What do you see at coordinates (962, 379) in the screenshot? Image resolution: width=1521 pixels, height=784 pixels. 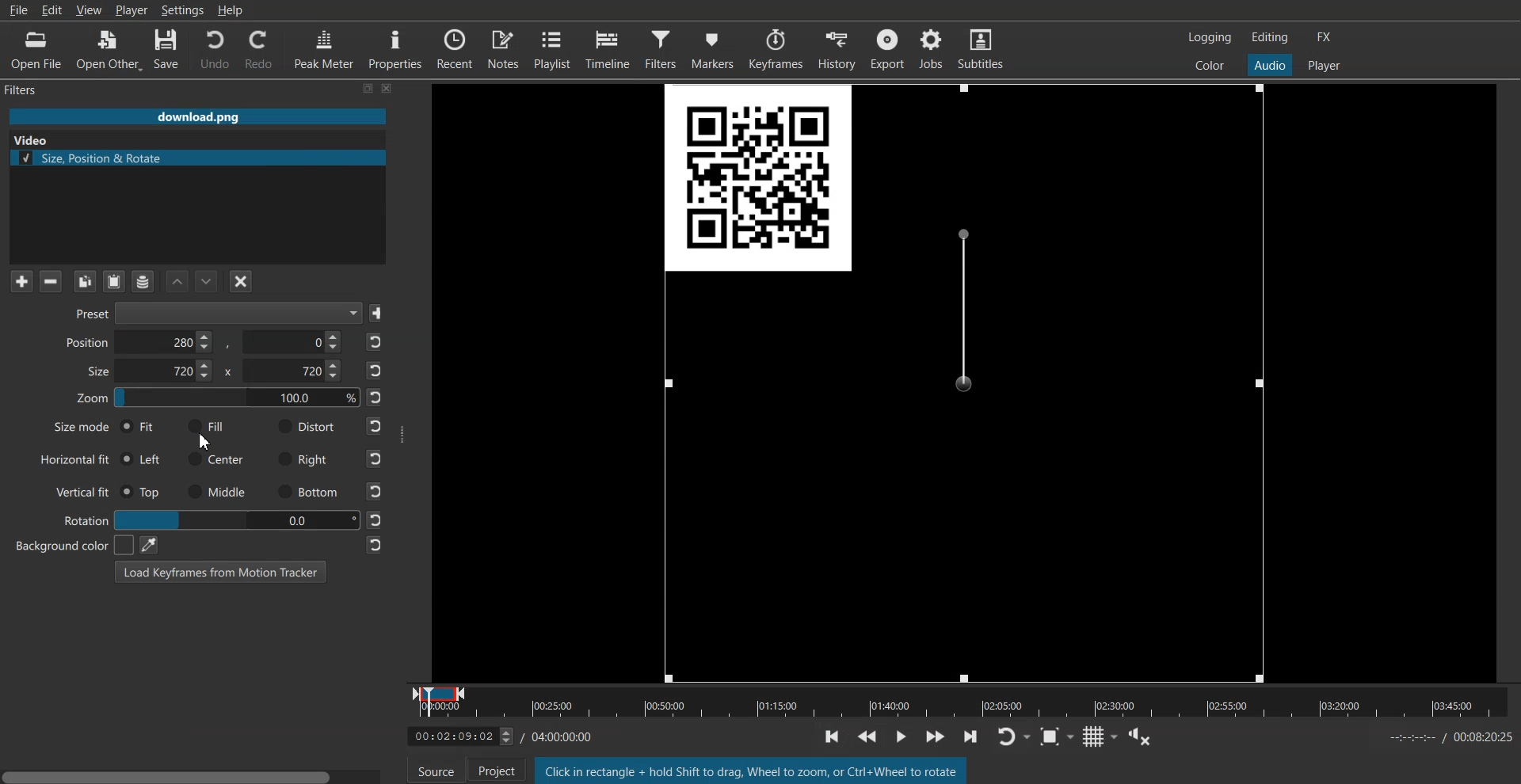 I see `Size Adjuster Frame` at bounding box center [962, 379].